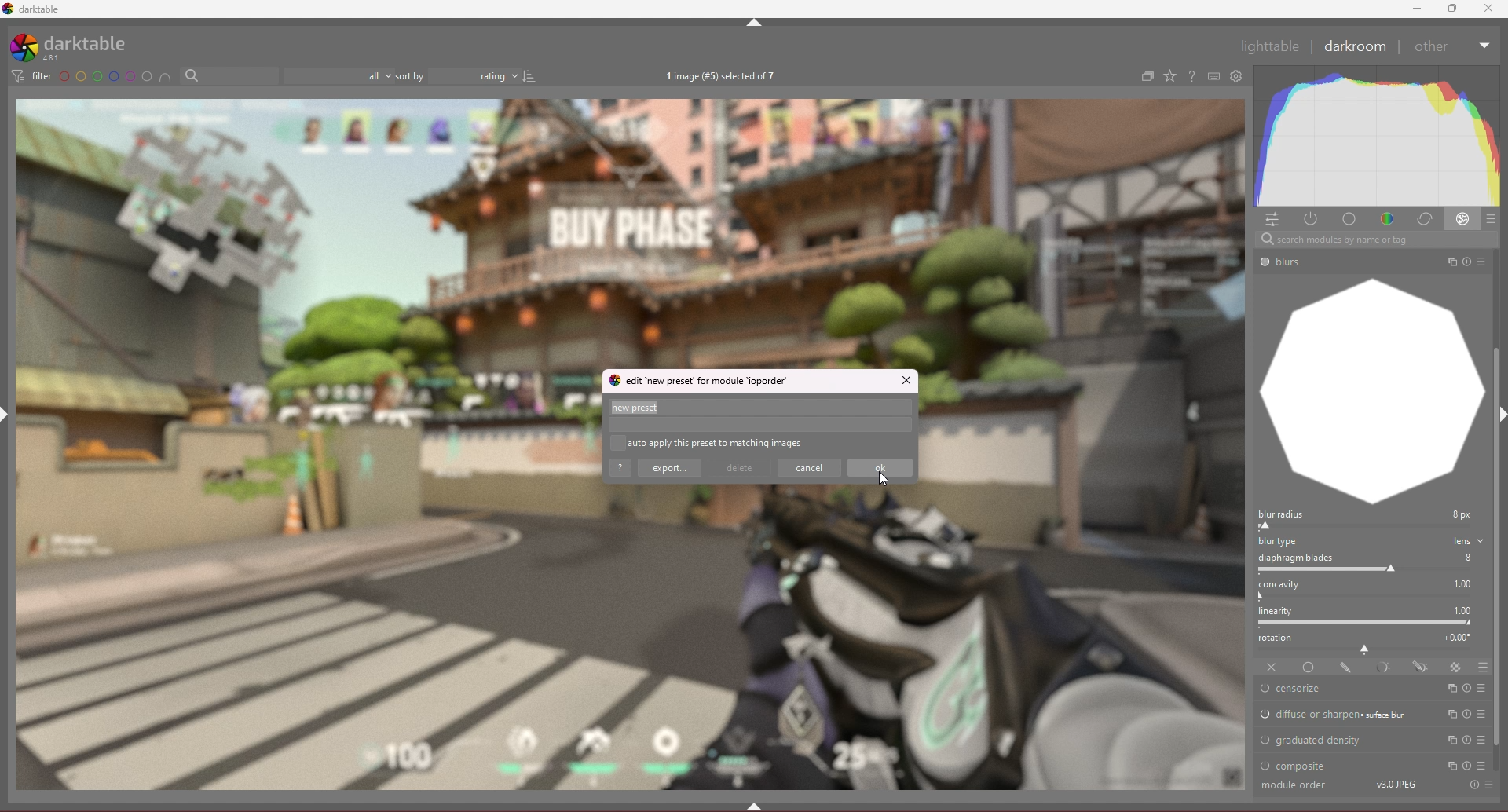  Describe the element at coordinates (723, 75) in the screenshot. I see `images selected` at that location.